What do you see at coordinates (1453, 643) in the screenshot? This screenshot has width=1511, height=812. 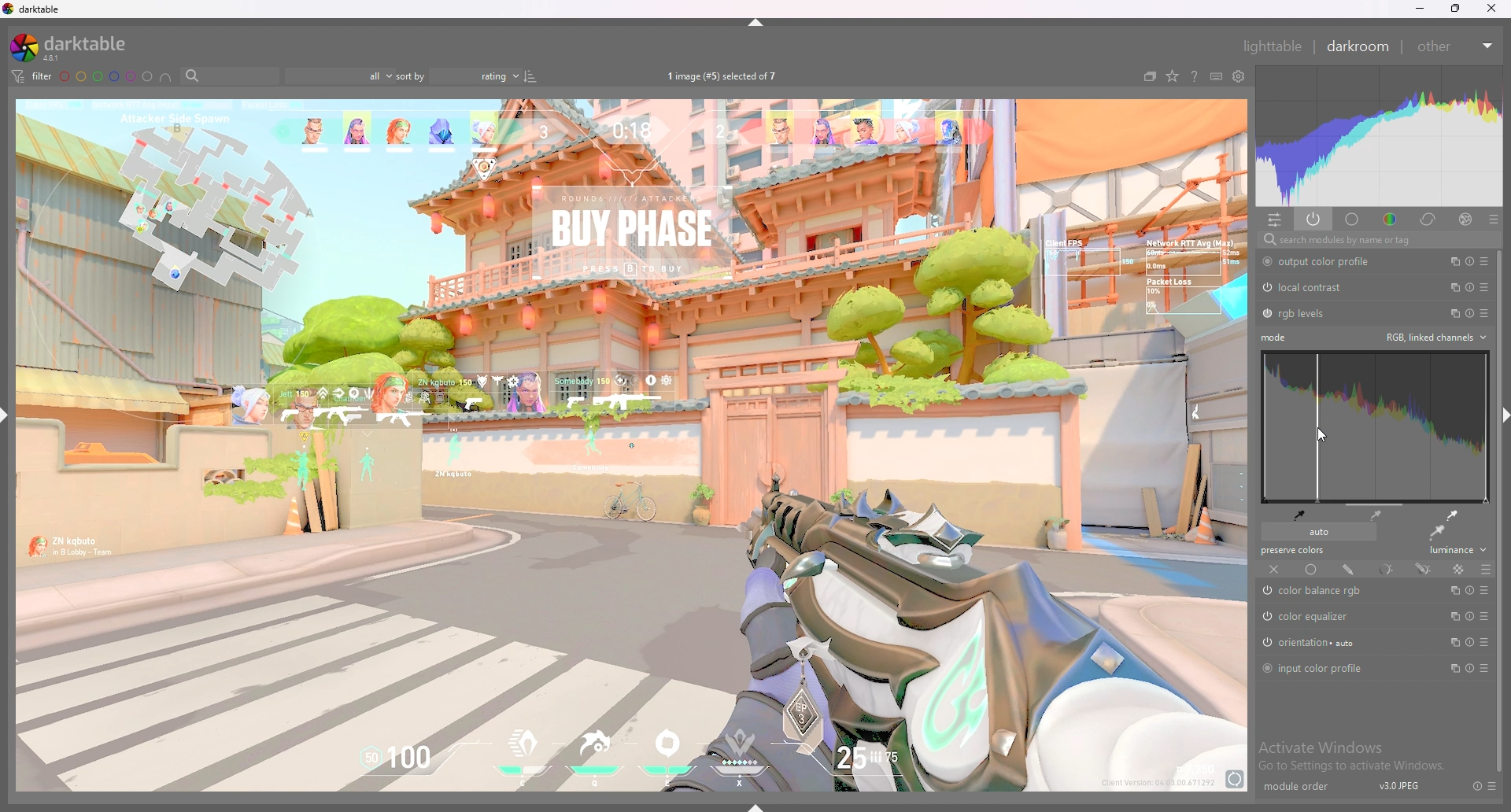 I see `multiple instances action` at bounding box center [1453, 643].